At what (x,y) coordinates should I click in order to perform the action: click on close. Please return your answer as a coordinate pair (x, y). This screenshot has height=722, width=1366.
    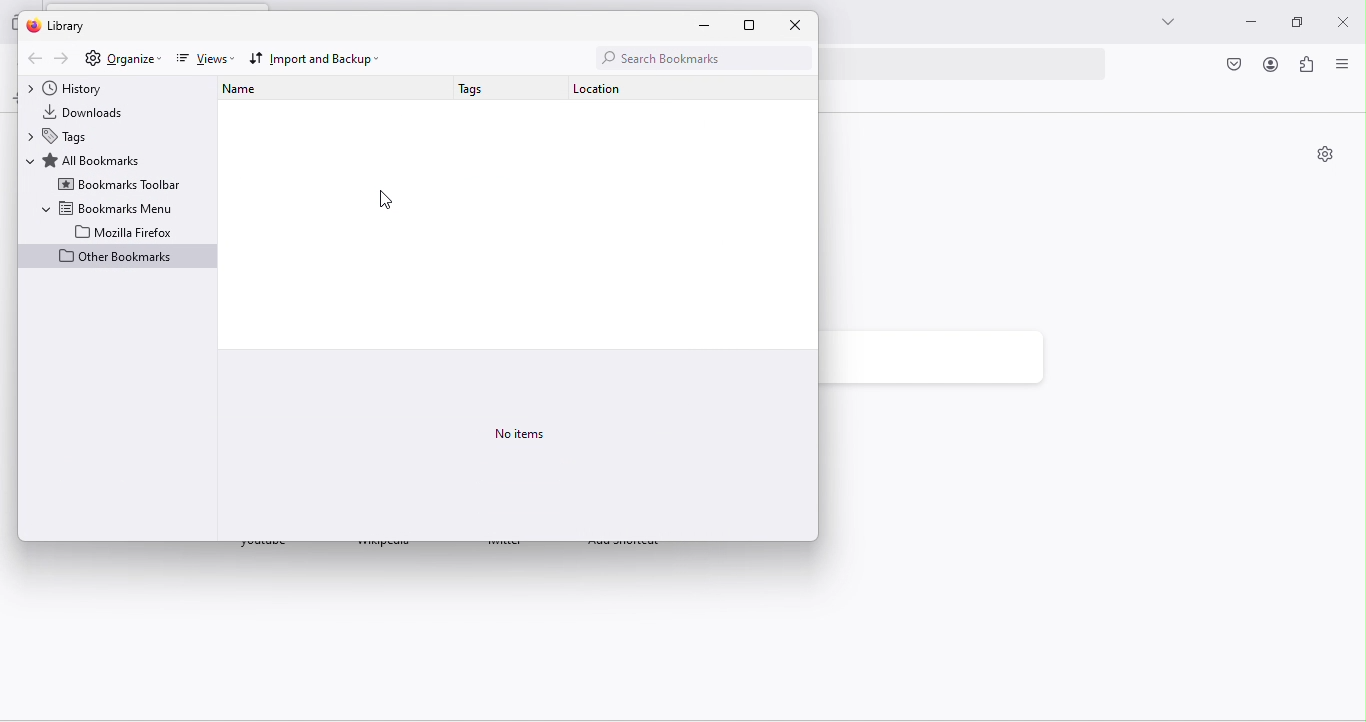
    Looking at the image, I should click on (799, 25).